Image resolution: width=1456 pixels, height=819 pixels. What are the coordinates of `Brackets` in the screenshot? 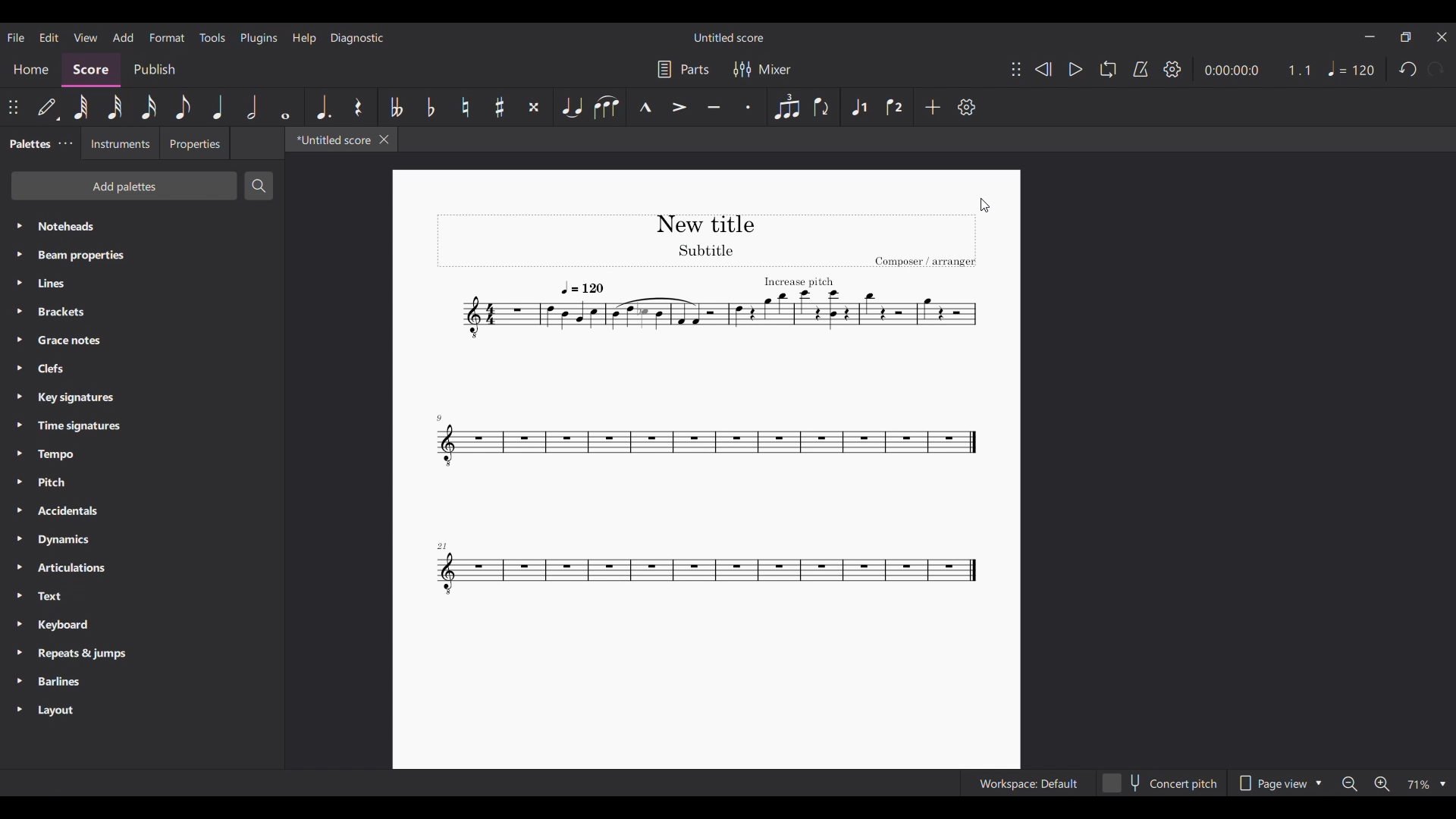 It's located at (142, 312).